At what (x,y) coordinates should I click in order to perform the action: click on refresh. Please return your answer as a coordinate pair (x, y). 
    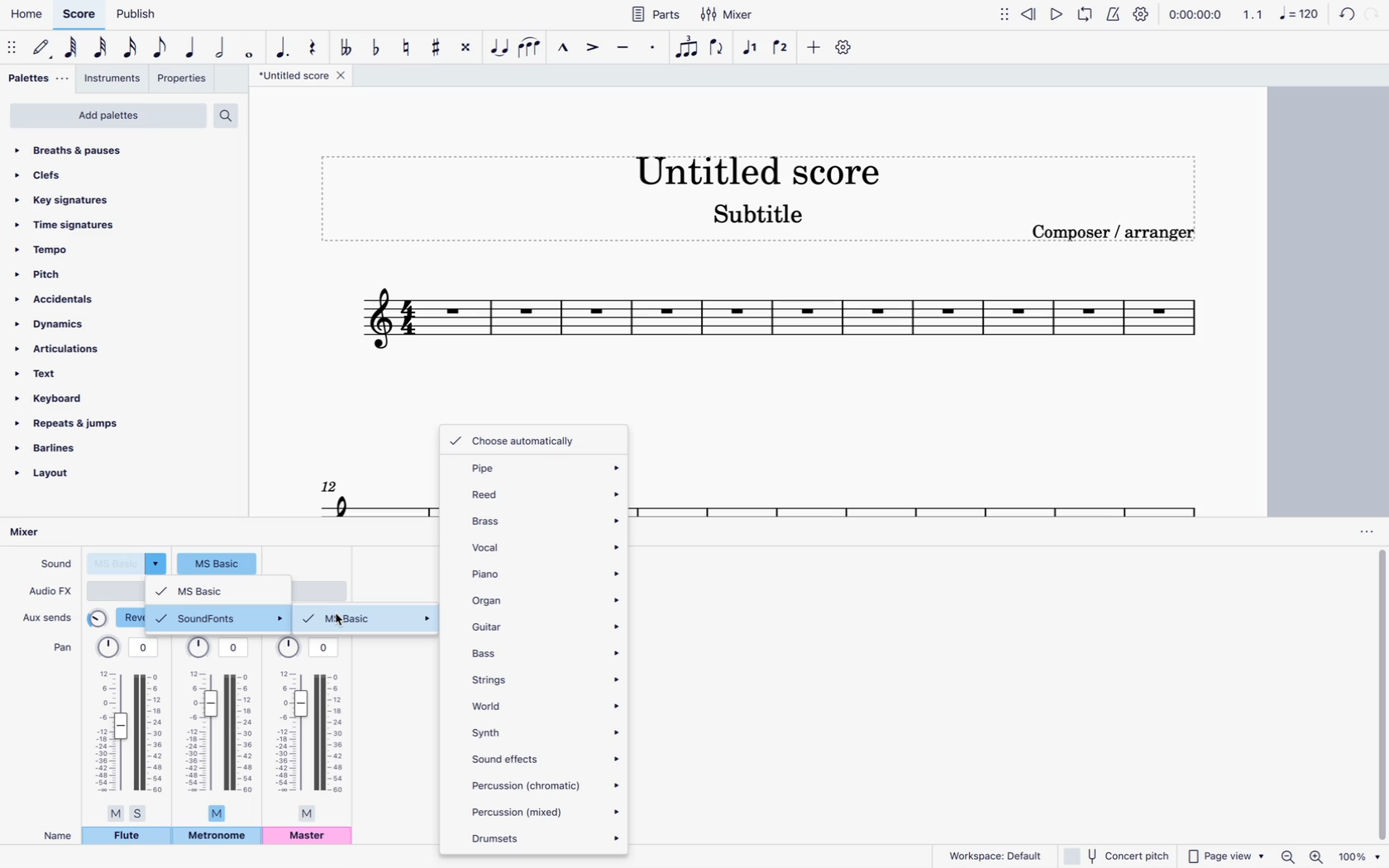
    Looking at the image, I should click on (1344, 16).